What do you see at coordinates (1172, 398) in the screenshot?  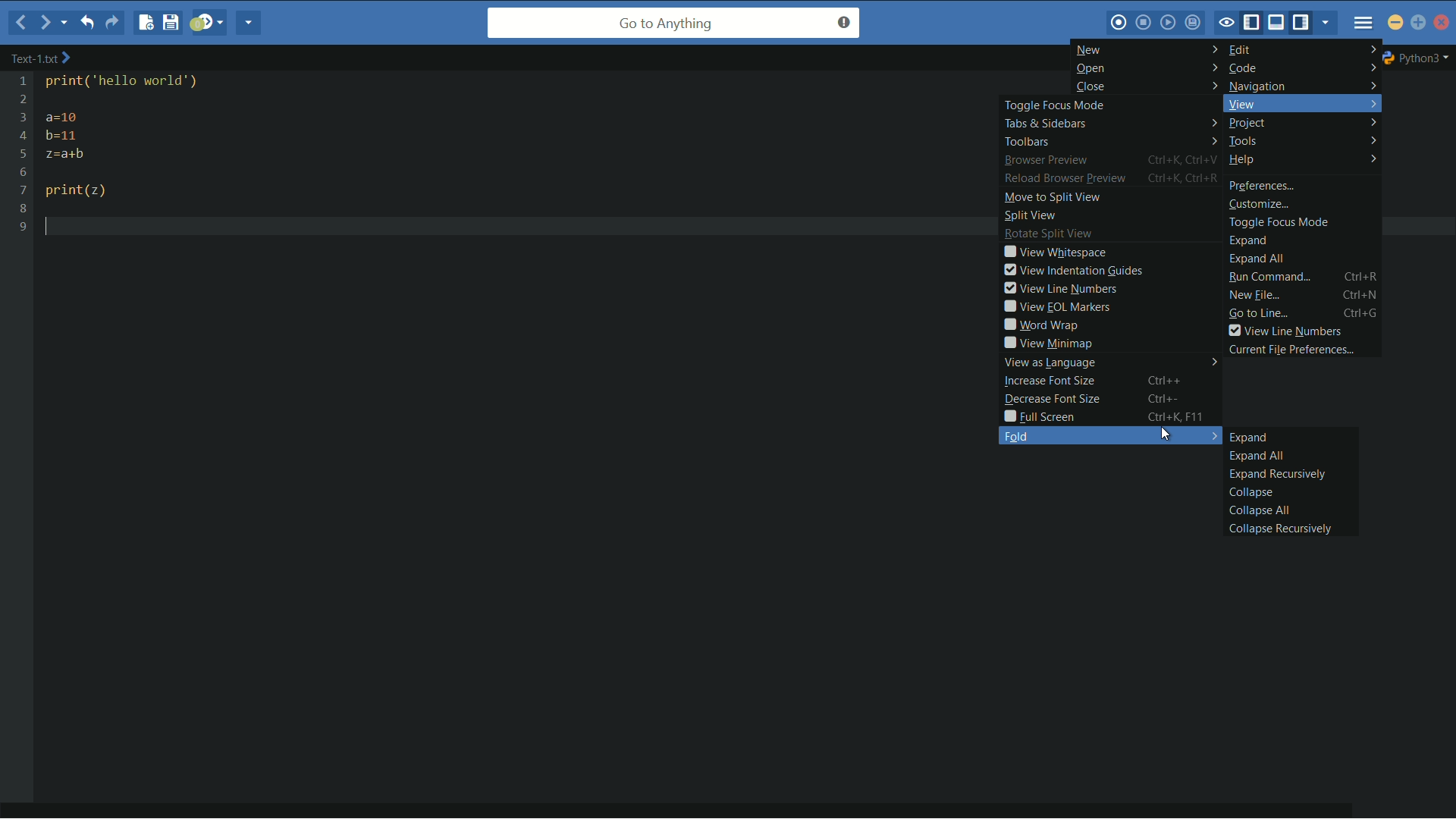 I see `Ctrl+-` at bounding box center [1172, 398].